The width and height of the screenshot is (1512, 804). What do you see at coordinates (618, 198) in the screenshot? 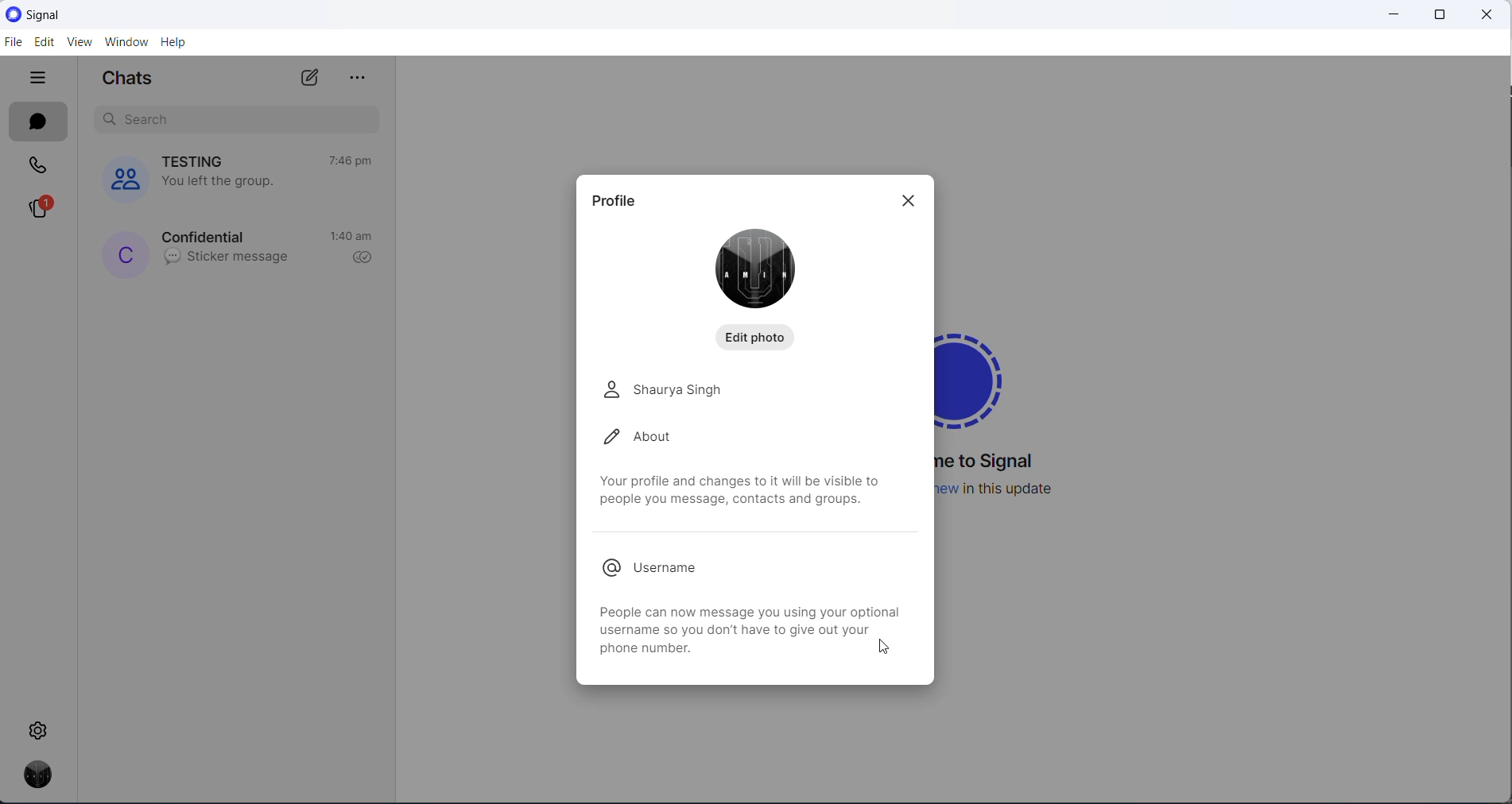
I see `profile` at bounding box center [618, 198].